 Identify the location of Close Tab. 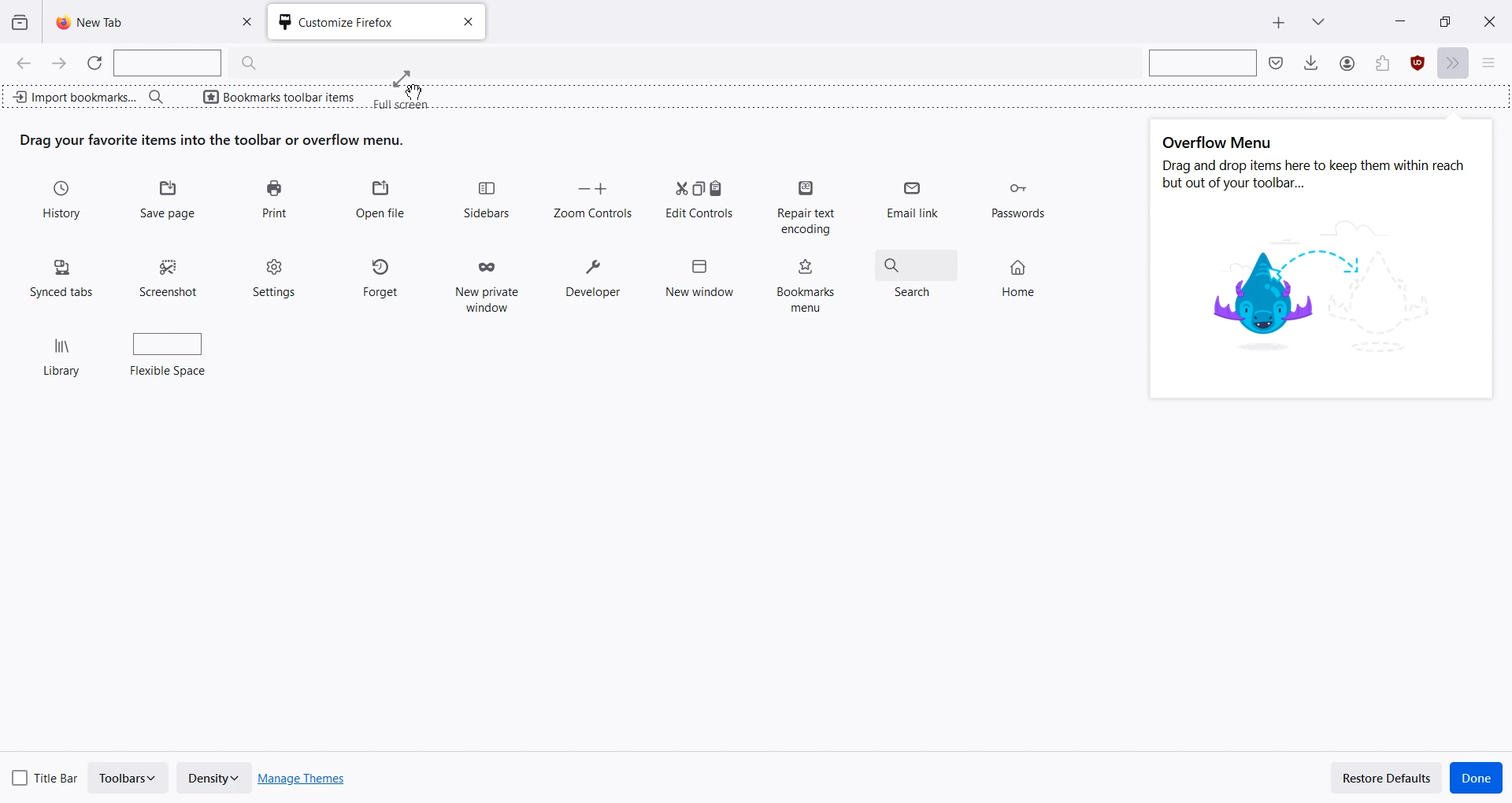
(251, 22).